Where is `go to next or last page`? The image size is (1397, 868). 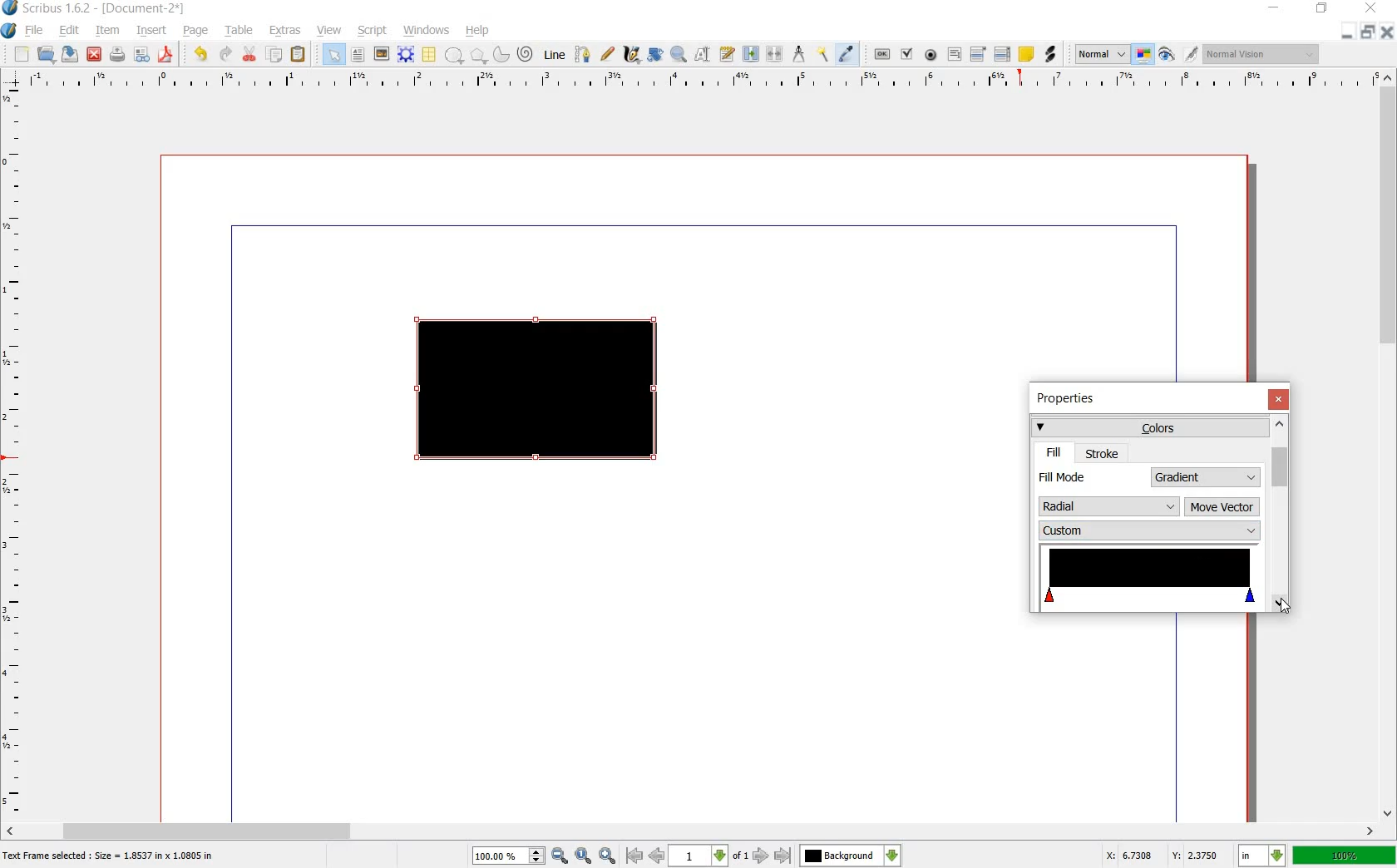
go to next or last page is located at coordinates (771, 856).